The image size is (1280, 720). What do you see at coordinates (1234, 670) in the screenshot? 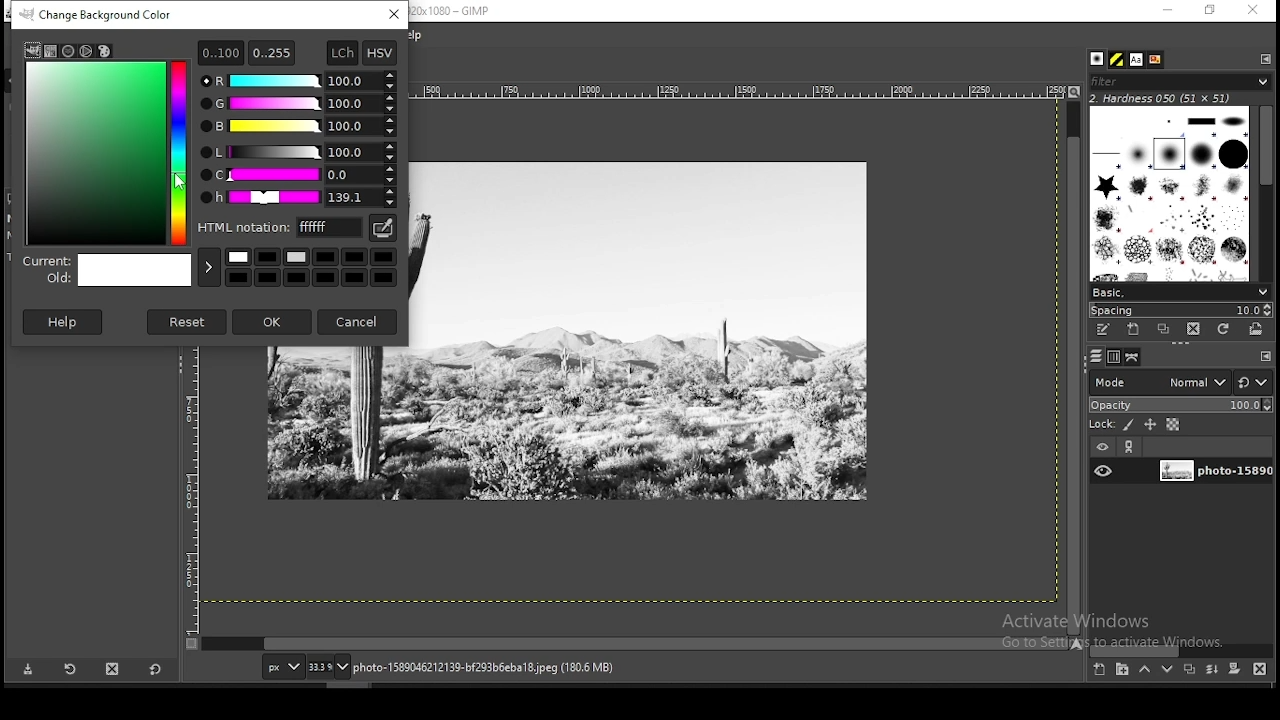
I see `mask layer` at bounding box center [1234, 670].